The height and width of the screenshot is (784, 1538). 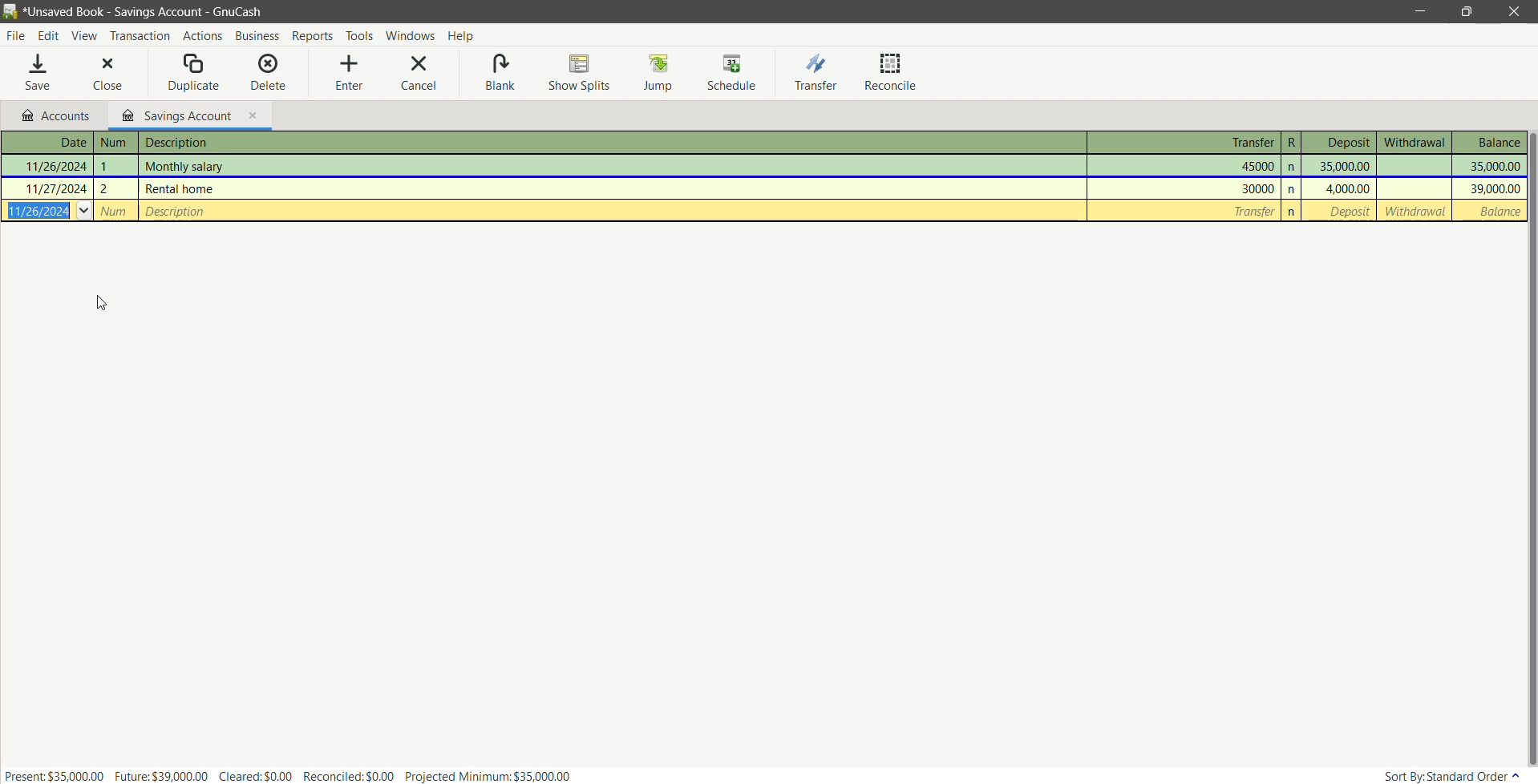 What do you see at coordinates (1495, 212) in the screenshot?
I see `balance` at bounding box center [1495, 212].